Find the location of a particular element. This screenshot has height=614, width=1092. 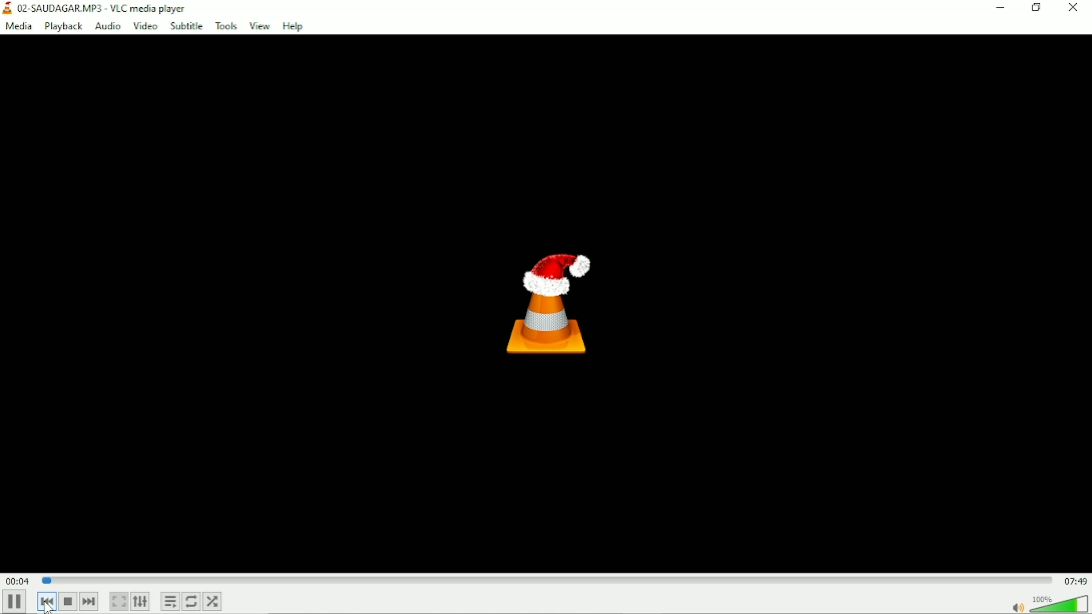

Total duration is located at coordinates (1075, 580).